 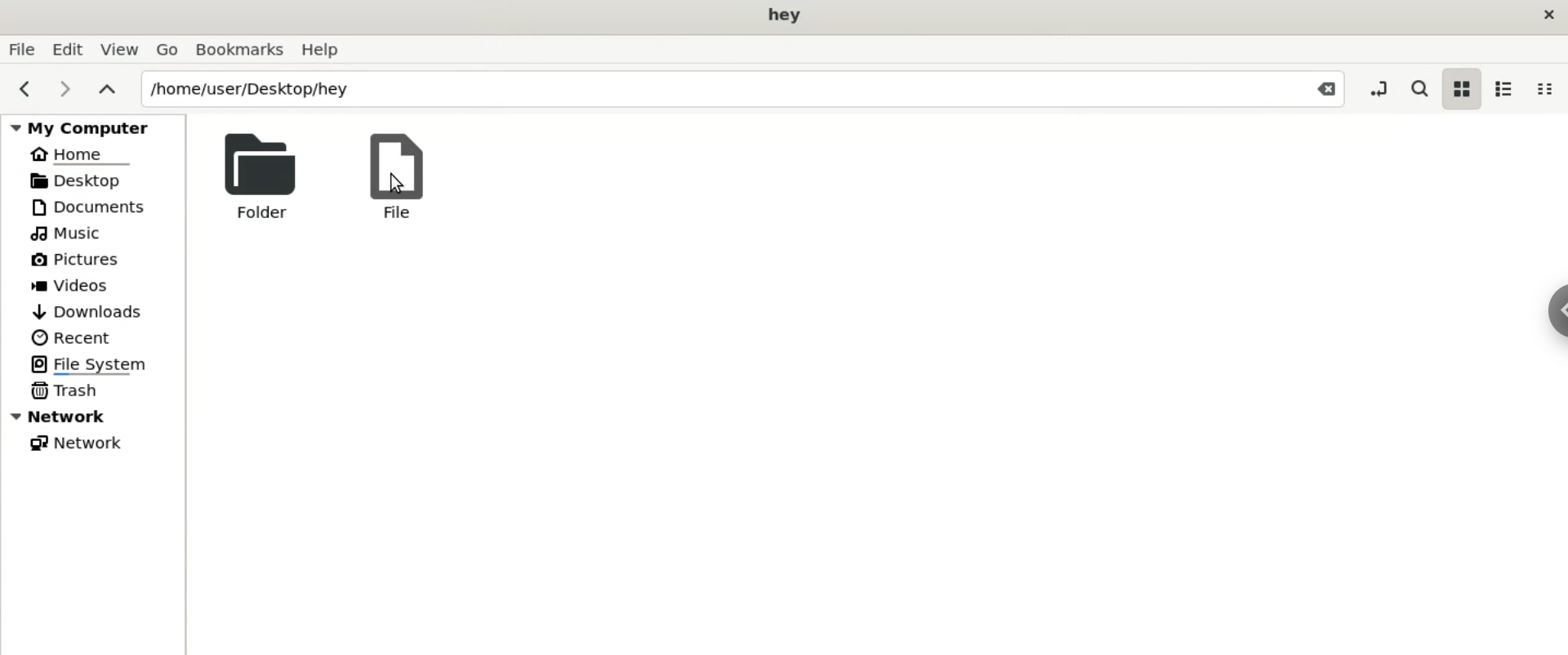 What do you see at coordinates (241, 50) in the screenshot?
I see `bookmarks` at bounding box center [241, 50].